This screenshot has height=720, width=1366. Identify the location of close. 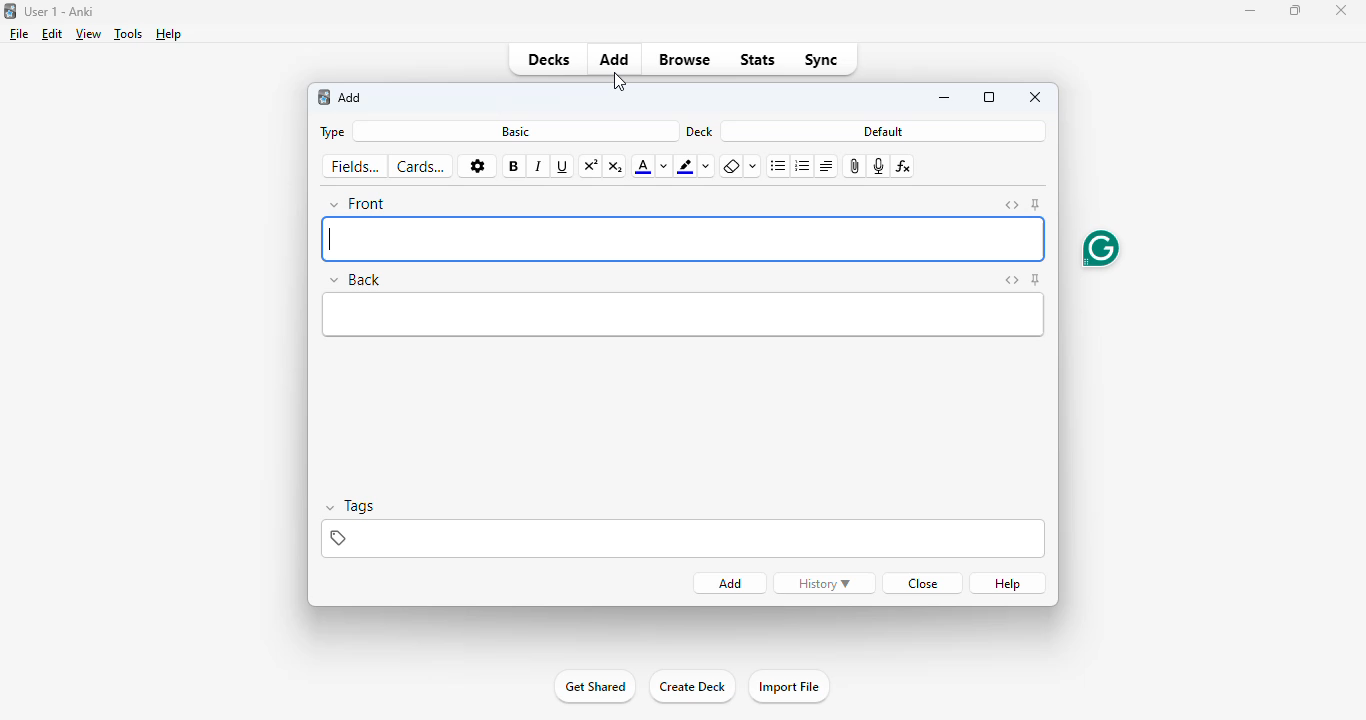
(1341, 10).